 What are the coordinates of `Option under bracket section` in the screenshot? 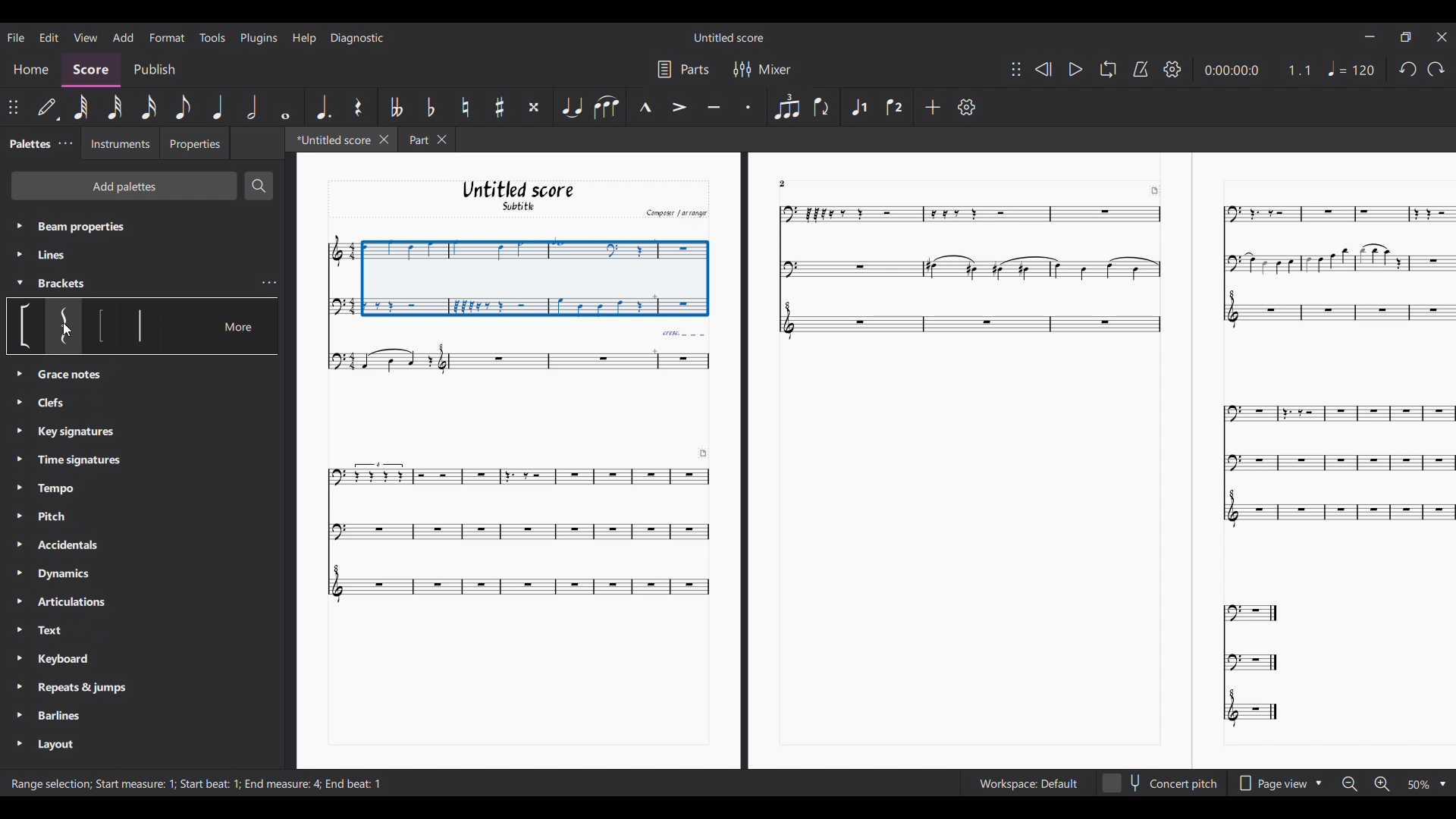 It's located at (27, 326).